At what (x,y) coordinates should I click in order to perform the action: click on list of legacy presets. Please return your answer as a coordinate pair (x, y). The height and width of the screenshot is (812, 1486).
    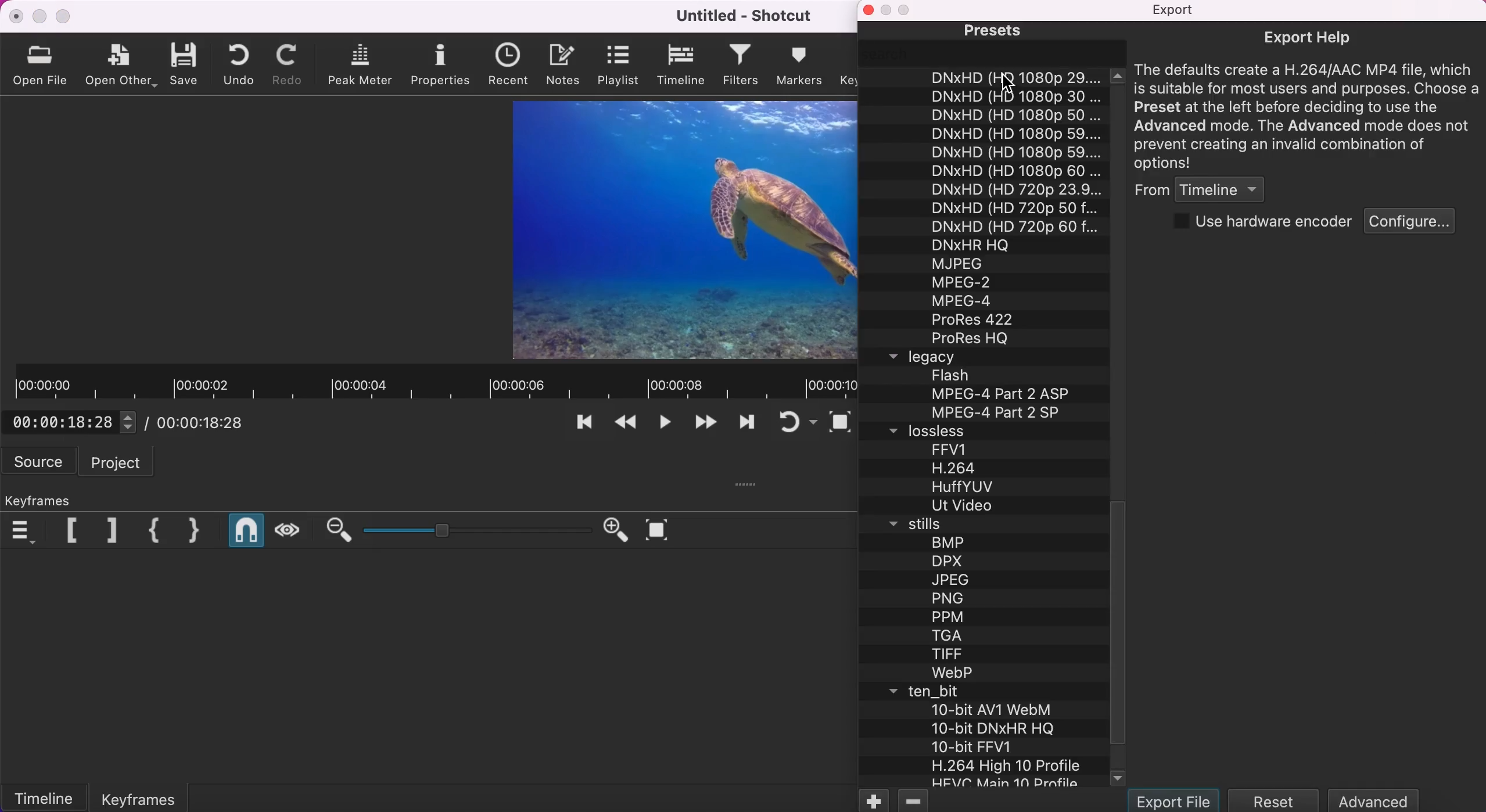
    Looking at the image, I should click on (984, 394).